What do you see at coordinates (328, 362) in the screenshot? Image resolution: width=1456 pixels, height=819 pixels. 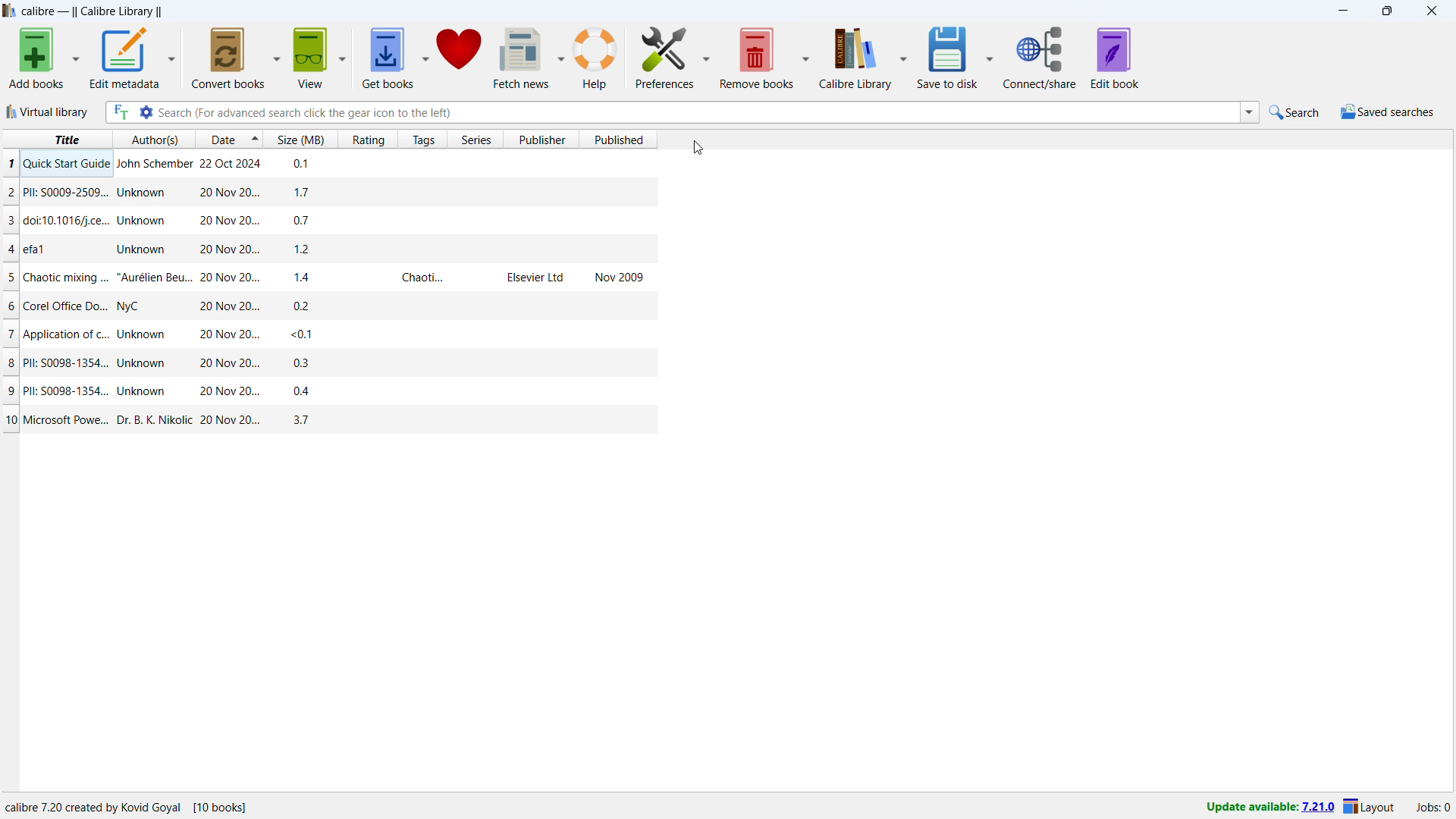 I see `PII: S0098-1354... Unknown 20 Nov 20... 03` at bounding box center [328, 362].